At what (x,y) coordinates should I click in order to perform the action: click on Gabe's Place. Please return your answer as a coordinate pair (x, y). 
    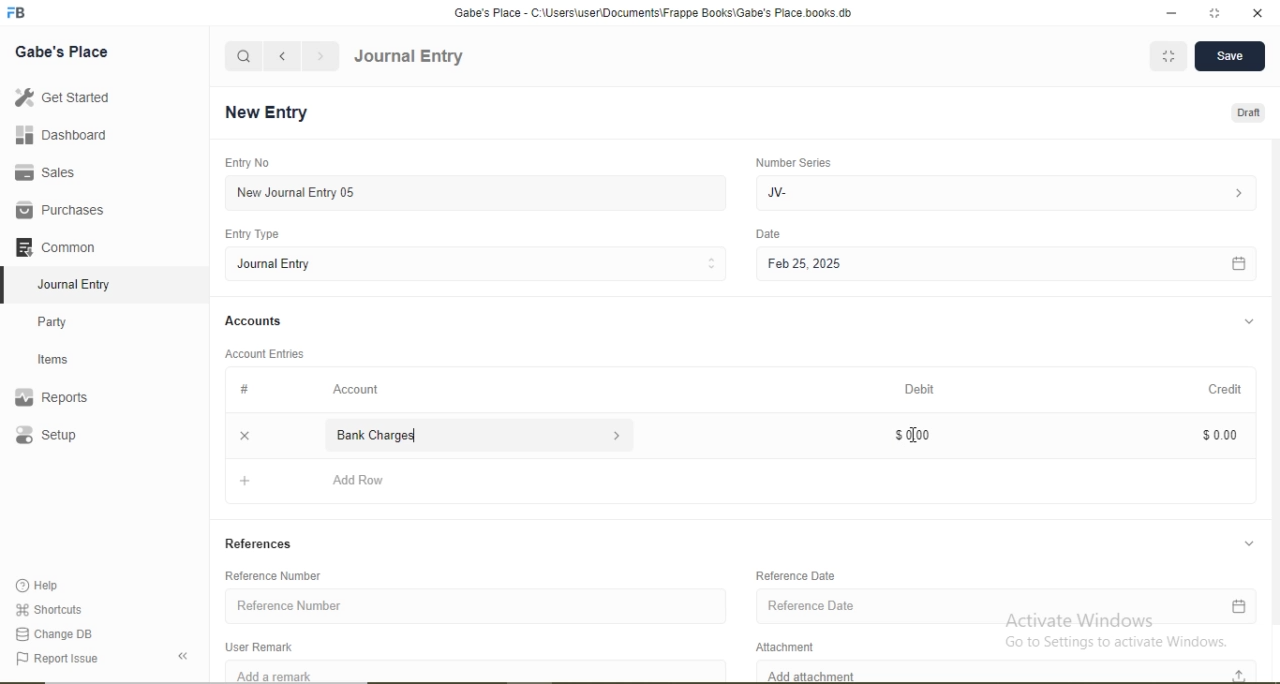
    Looking at the image, I should click on (64, 51).